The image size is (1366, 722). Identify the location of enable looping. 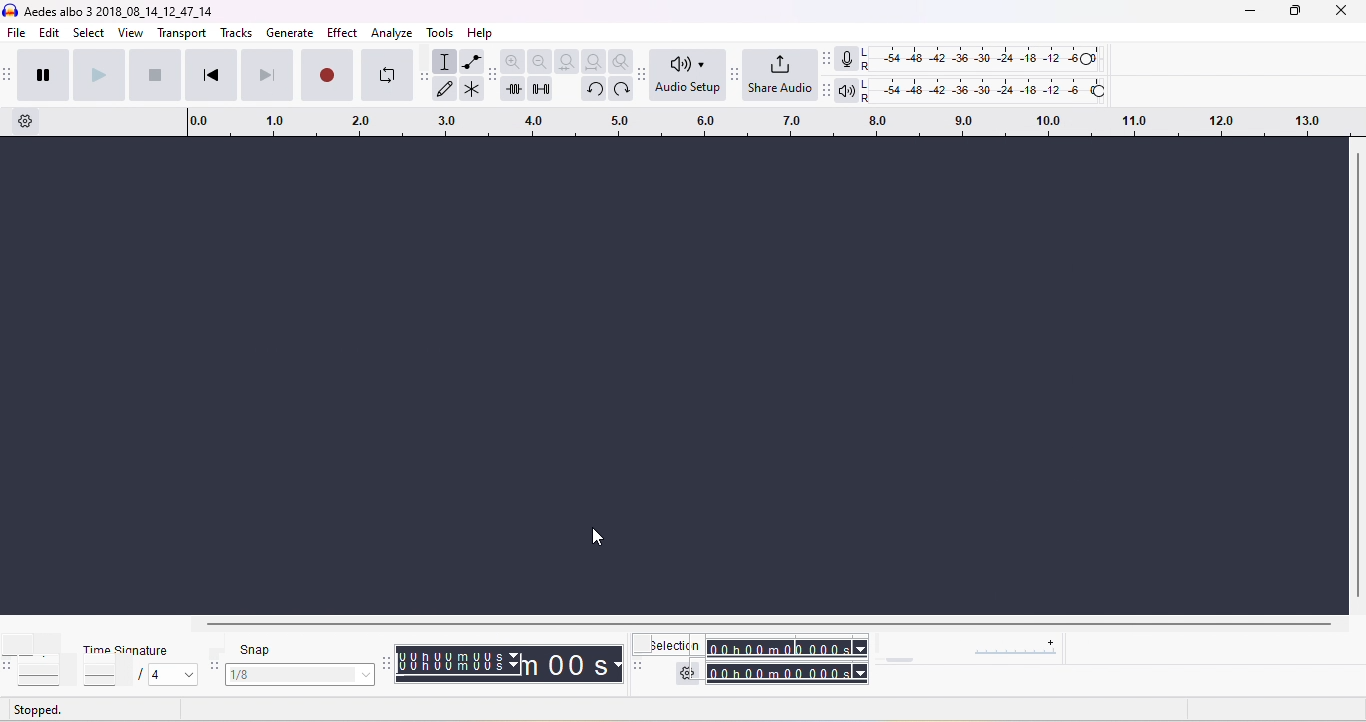
(387, 74).